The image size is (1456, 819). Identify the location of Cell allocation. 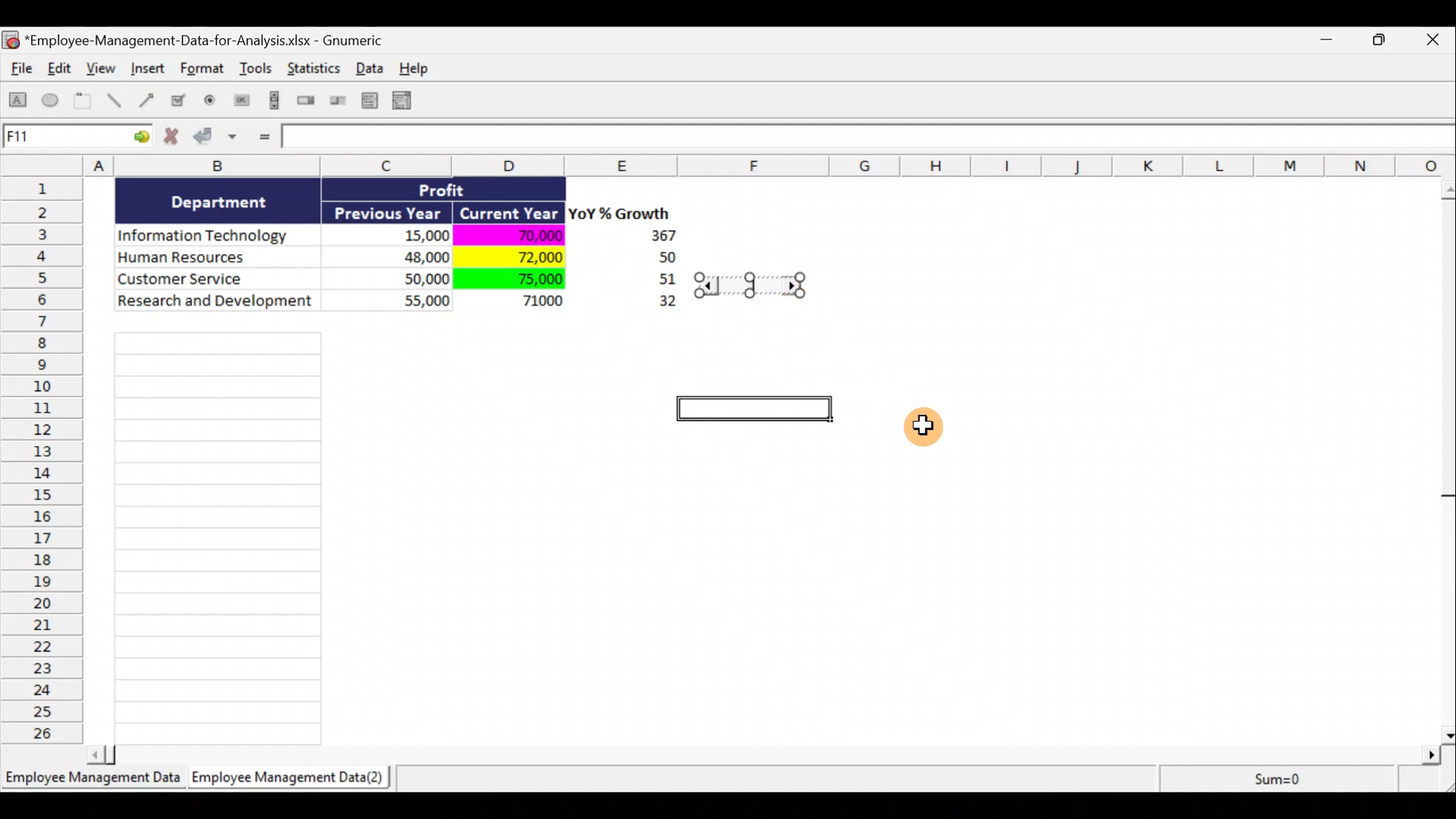
(77, 139).